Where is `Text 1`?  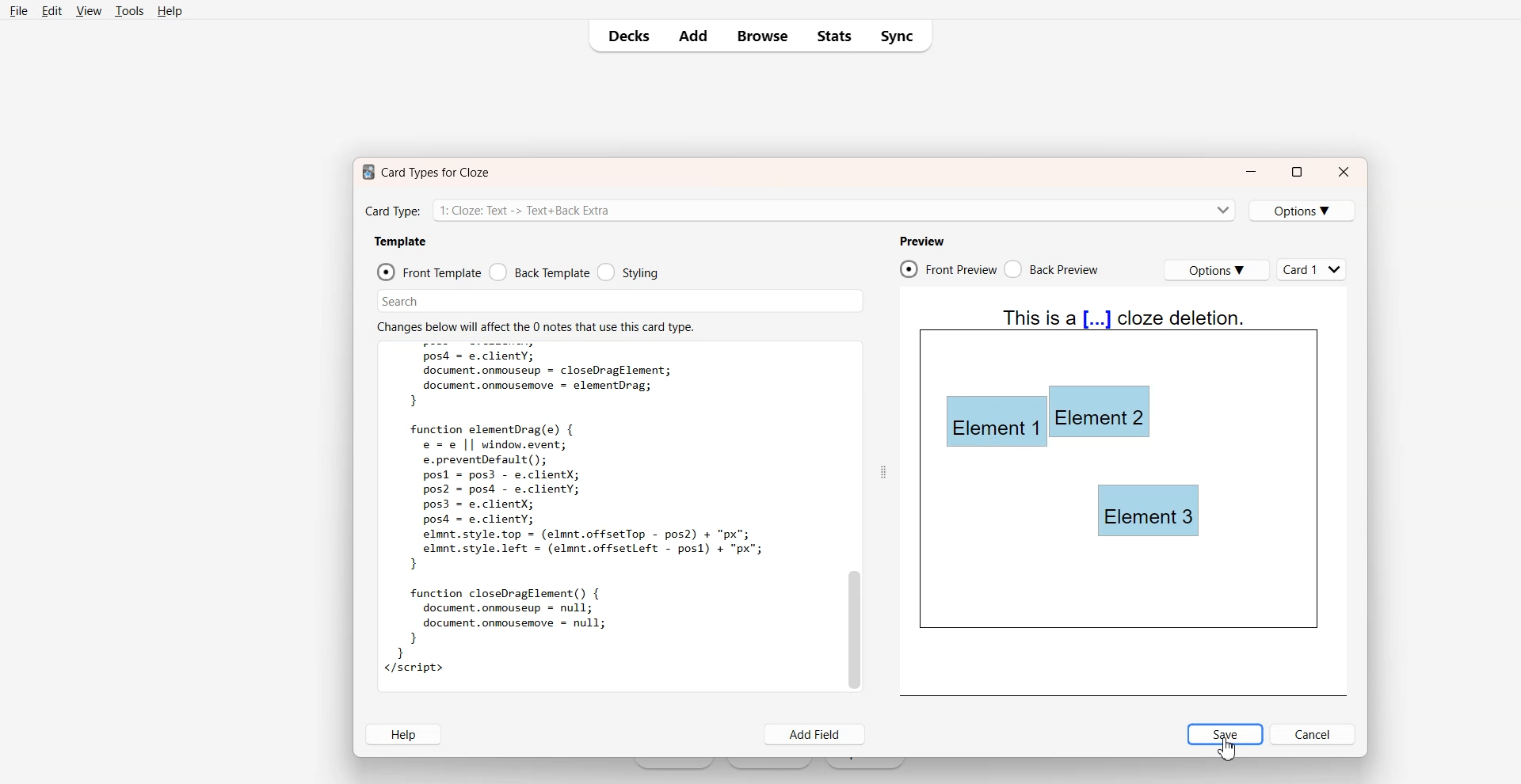 Text 1 is located at coordinates (422, 172).